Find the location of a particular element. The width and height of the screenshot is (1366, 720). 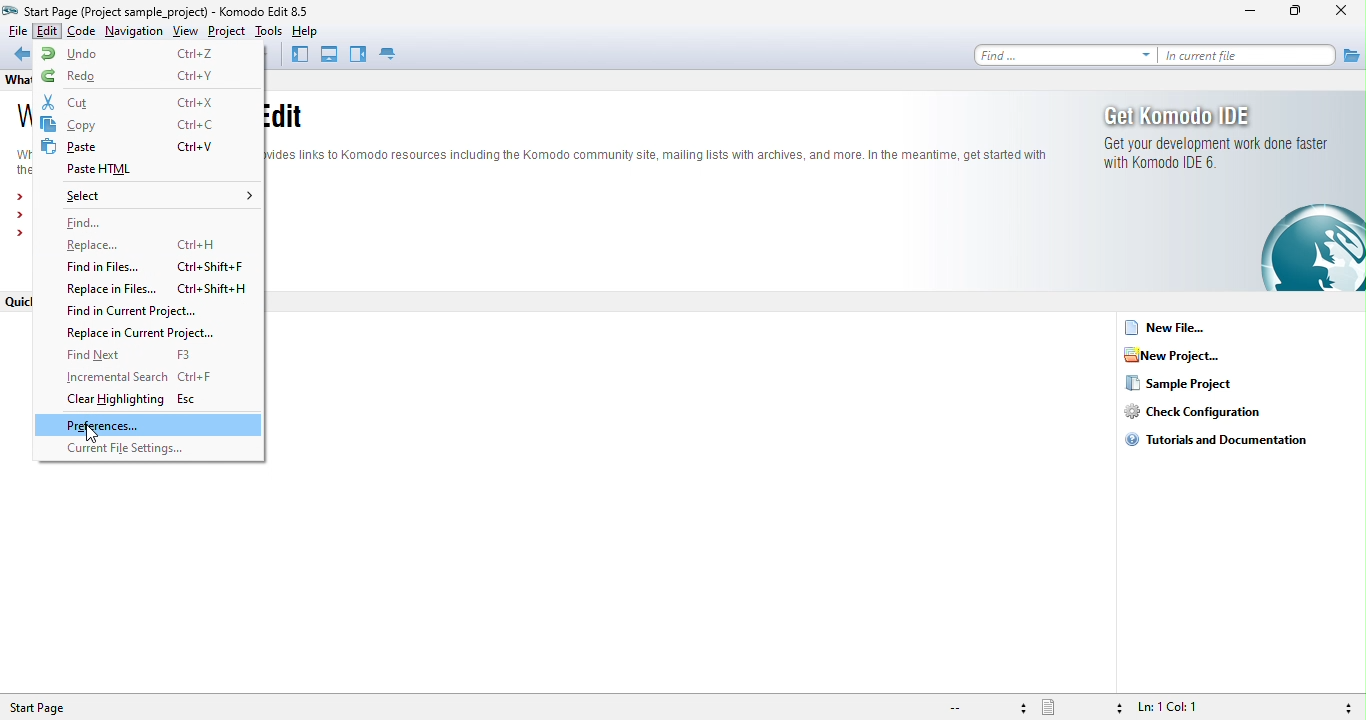

replace in files is located at coordinates (160, 289).